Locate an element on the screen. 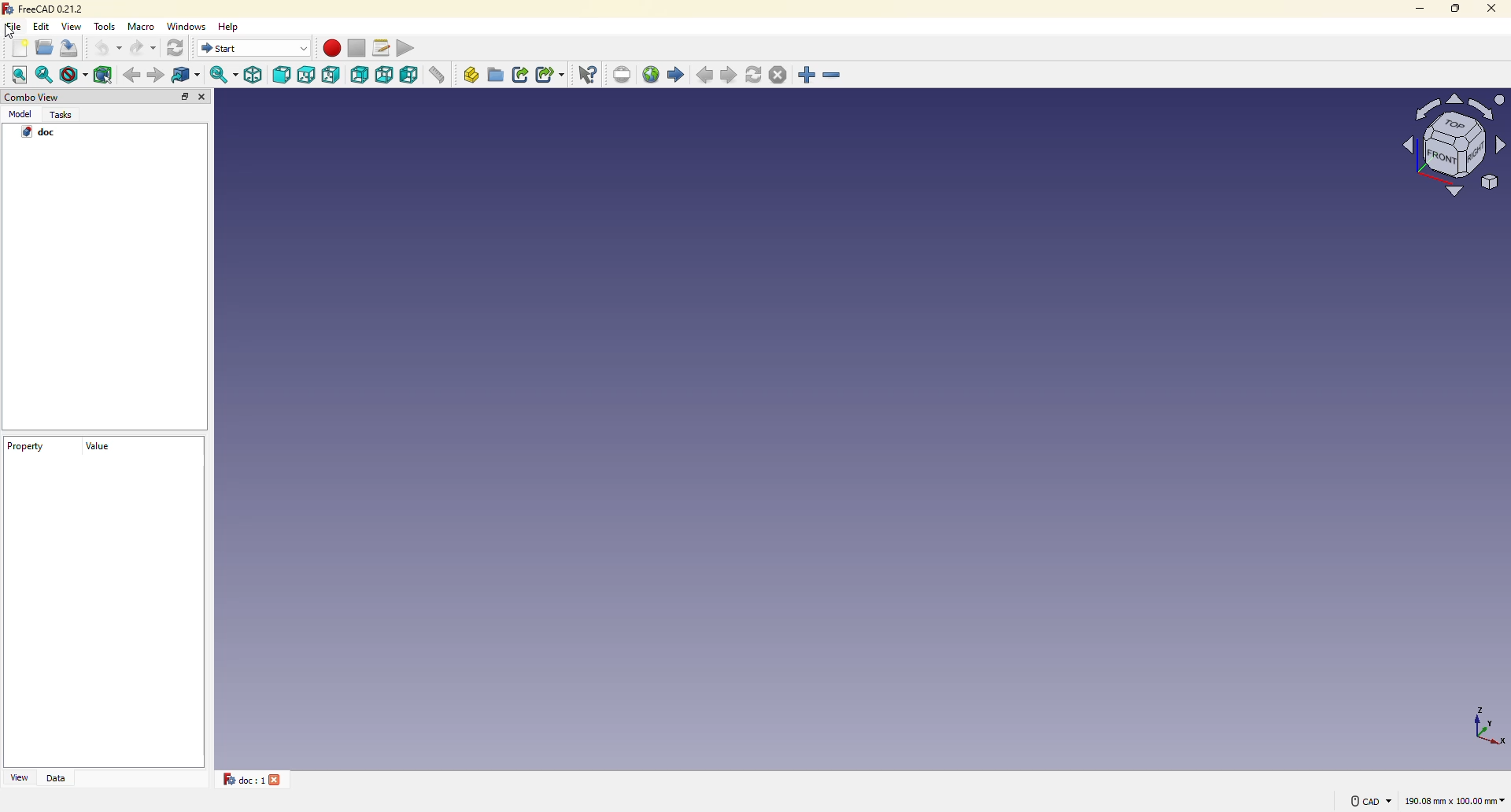 This screenshot has width=1511, height=812. new is located at coordinates (20, 49).